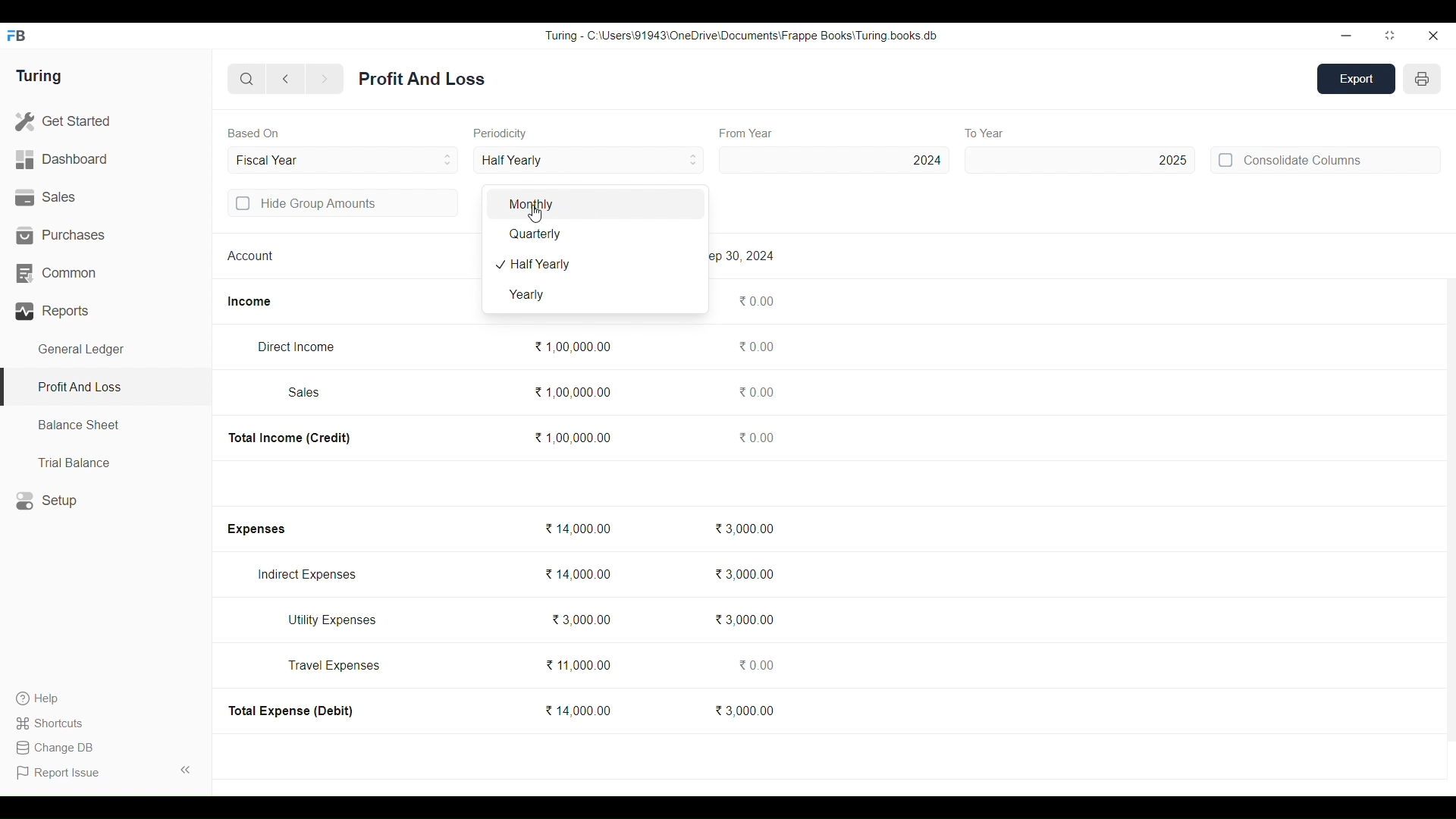  I want to click on Next, so click(325, 80).